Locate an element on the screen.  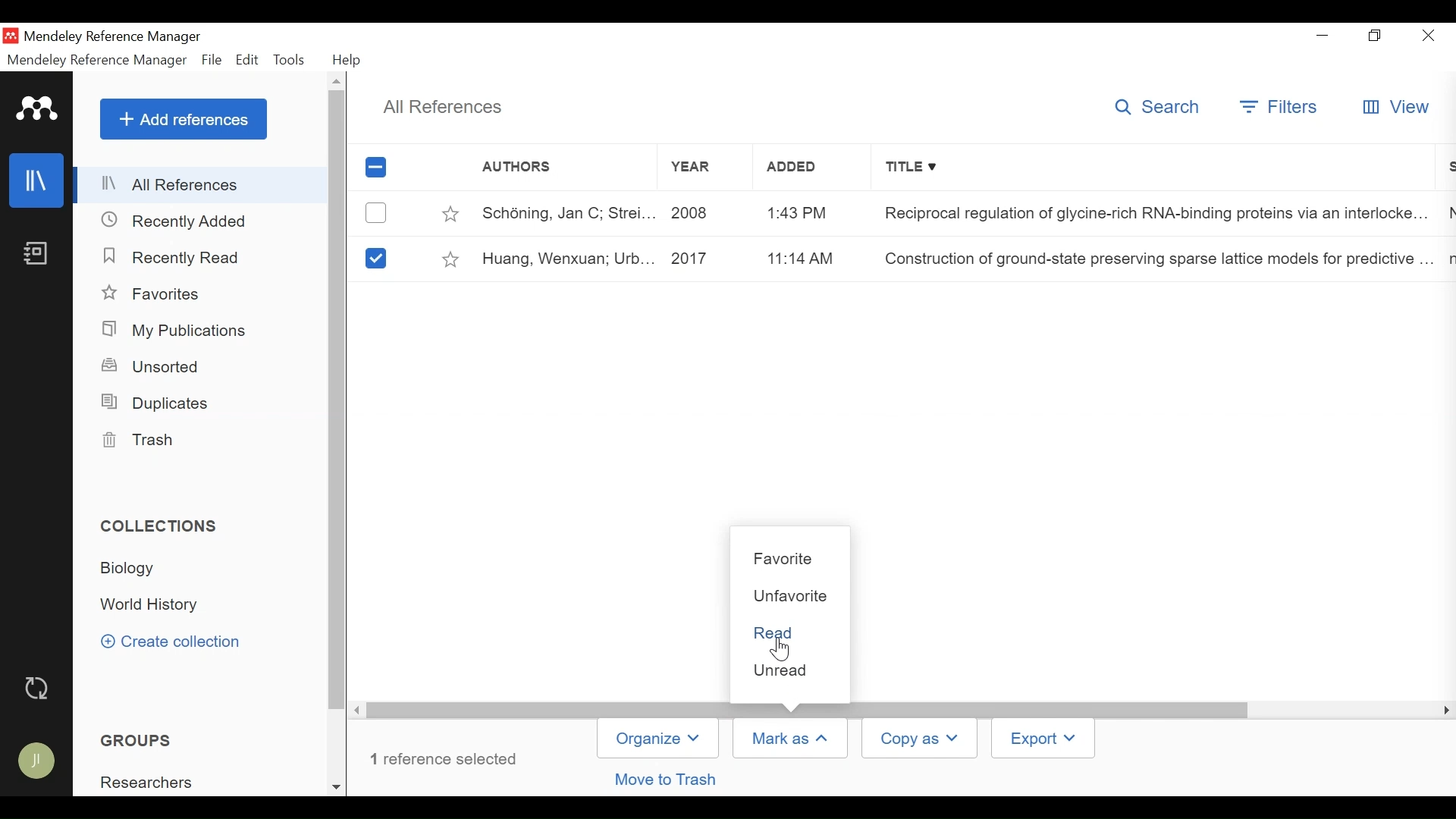
Read is located at coordinates (792, 632).